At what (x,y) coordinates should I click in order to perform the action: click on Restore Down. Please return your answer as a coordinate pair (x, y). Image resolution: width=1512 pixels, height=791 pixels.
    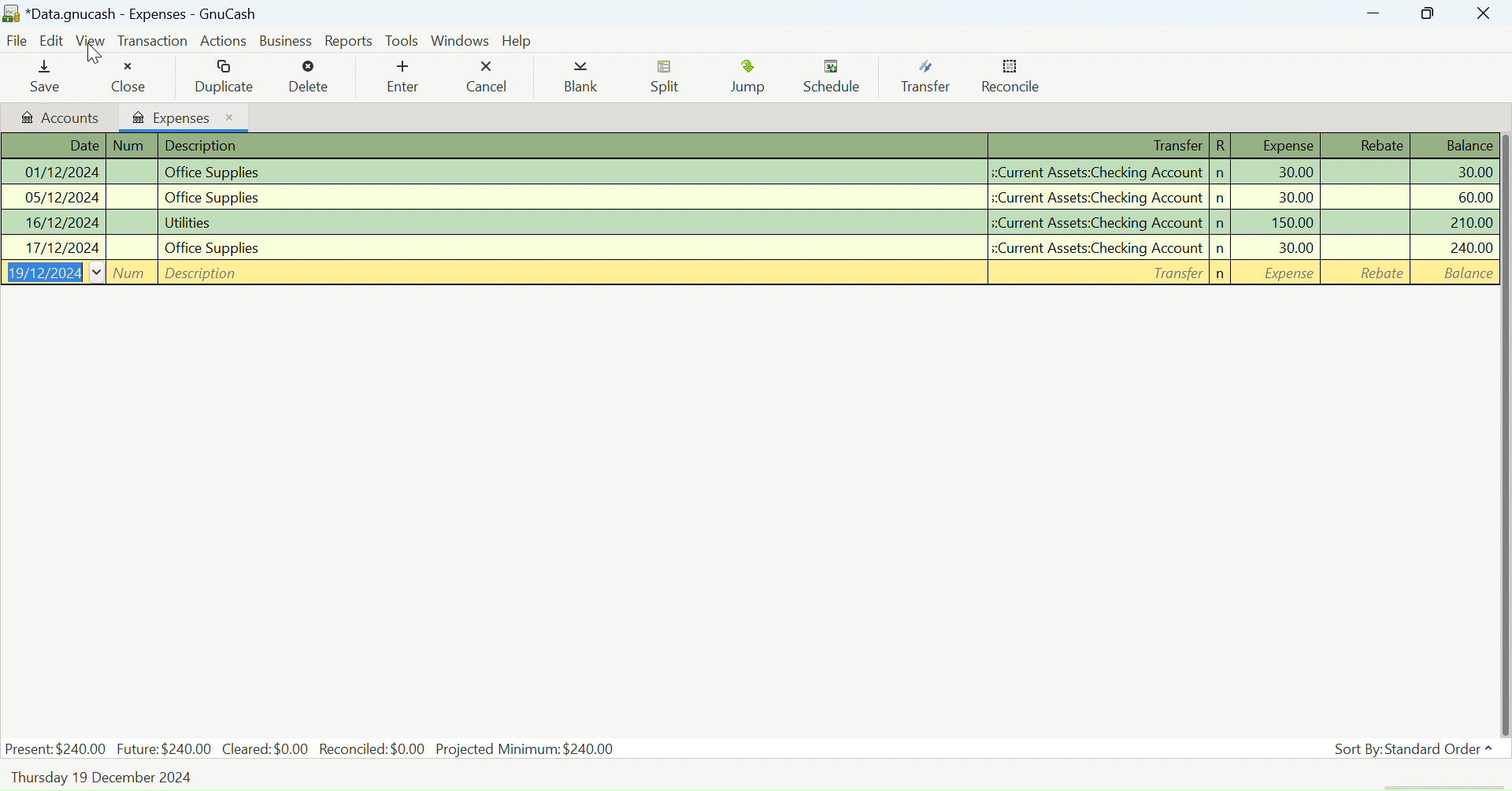
    Looking at the image, I should click on (1373, 13).